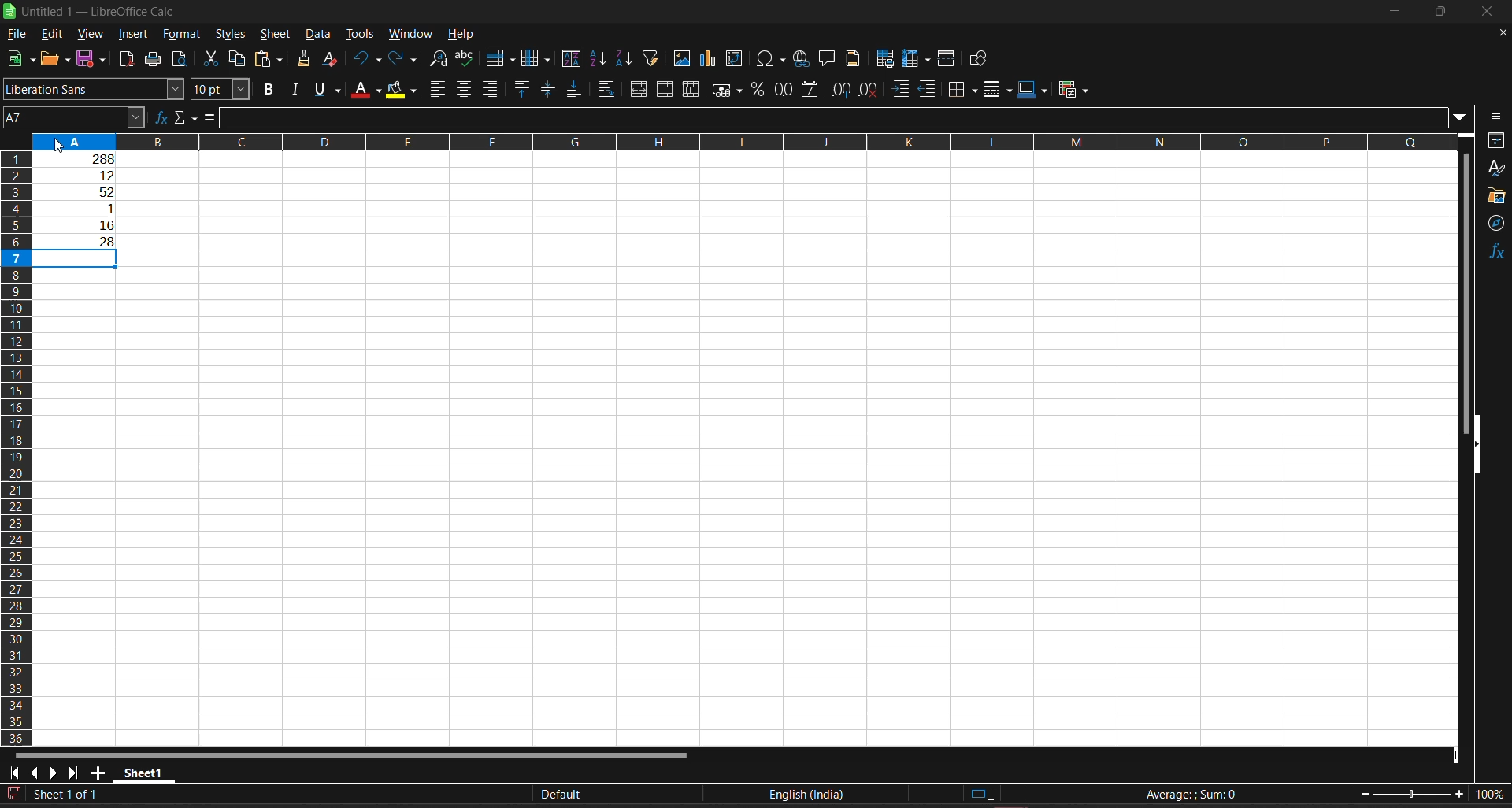 The image size is (1512, 808). What do you see at coordinates (411, 35) in the screenshot?
I see `window` at bounding box center [411, 35].